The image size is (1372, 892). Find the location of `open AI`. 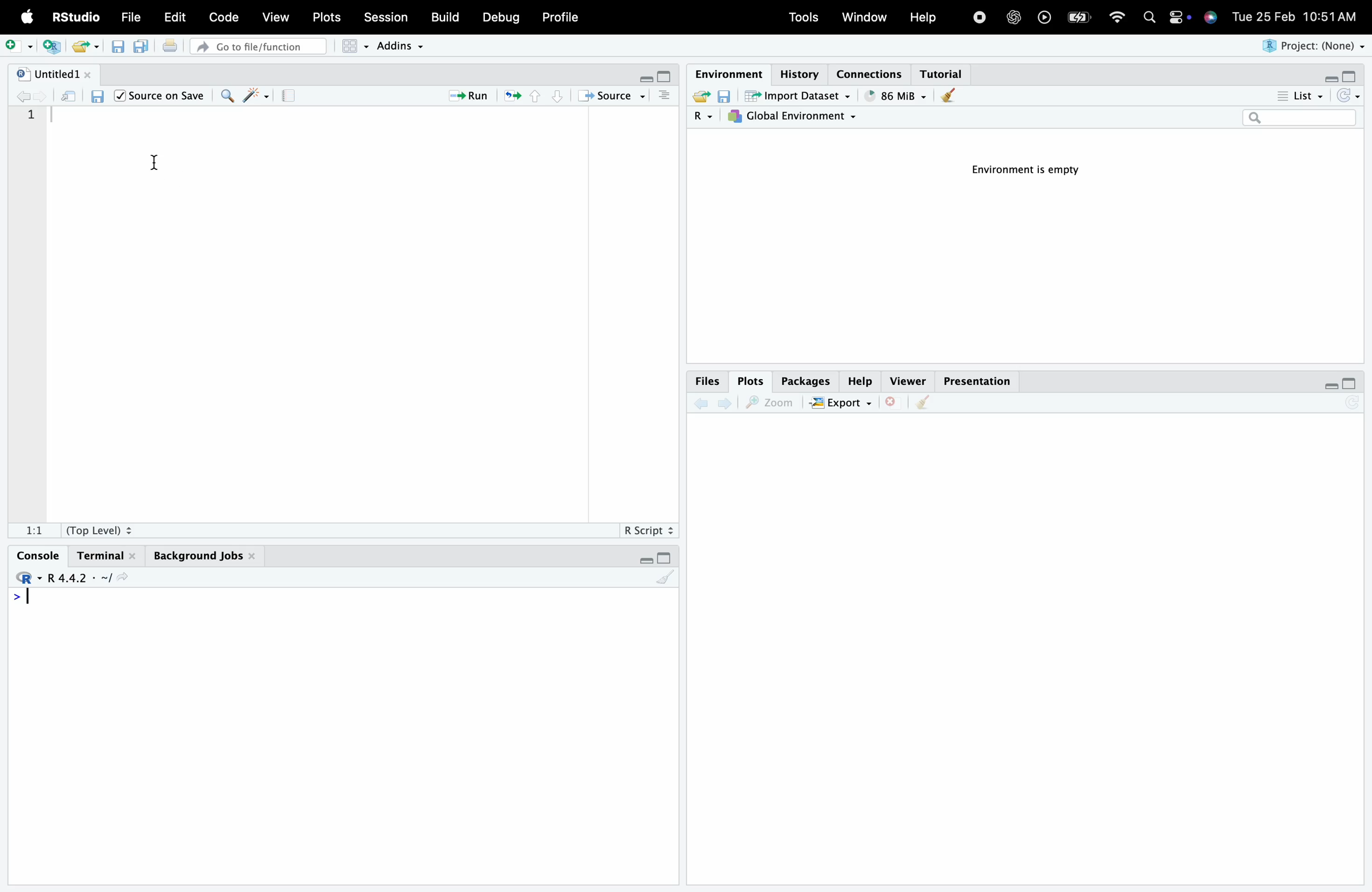

open AI is located at coordinates (1015, 22).